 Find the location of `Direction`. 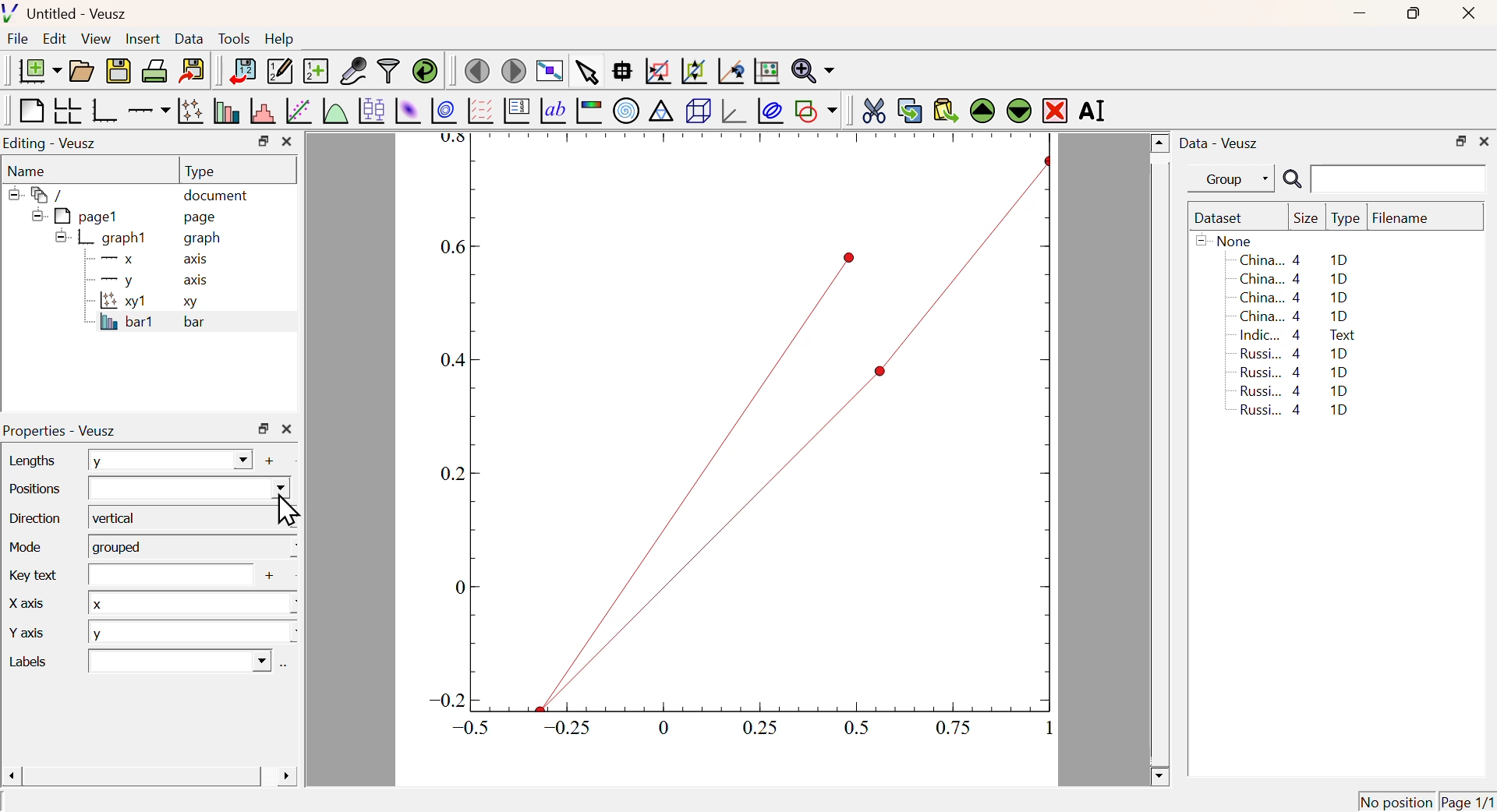

Direction is located at coordinates (35, 517).